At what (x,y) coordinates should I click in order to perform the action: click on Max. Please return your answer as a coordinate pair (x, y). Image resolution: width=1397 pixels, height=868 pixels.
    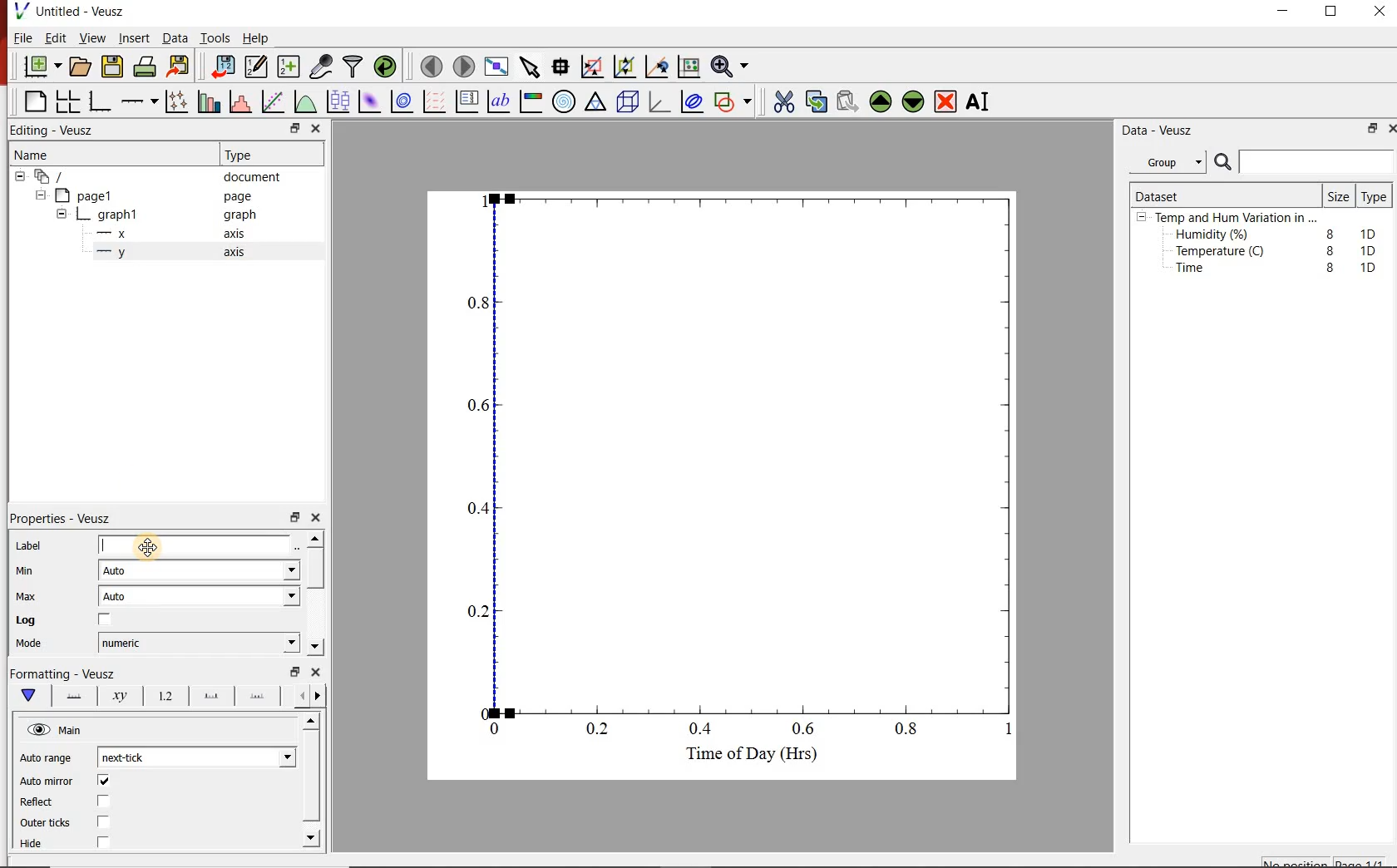
    Looking at the image, I should click on (35, 596).